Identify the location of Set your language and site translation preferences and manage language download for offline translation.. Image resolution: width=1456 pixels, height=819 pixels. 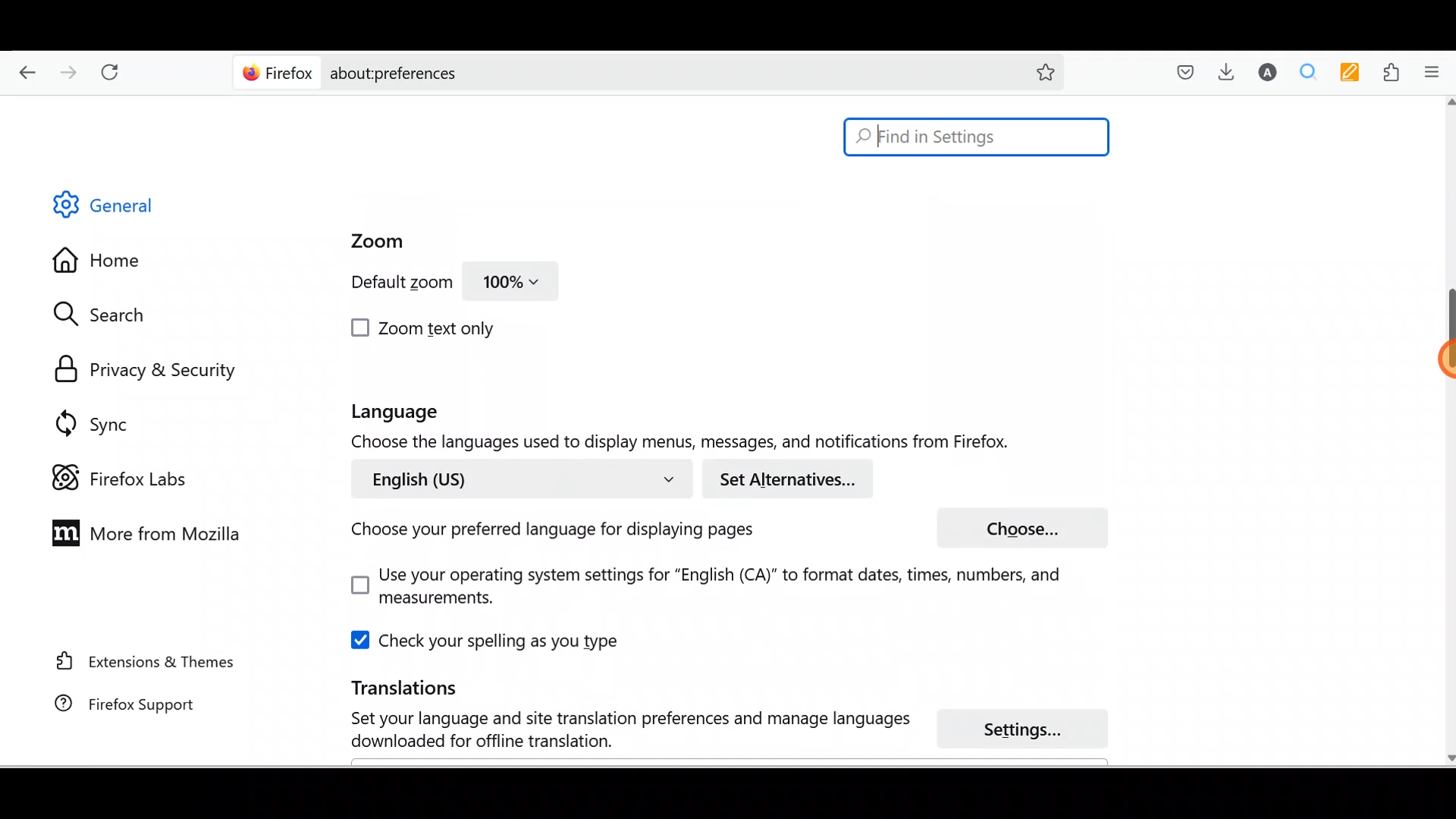
(616, 730).